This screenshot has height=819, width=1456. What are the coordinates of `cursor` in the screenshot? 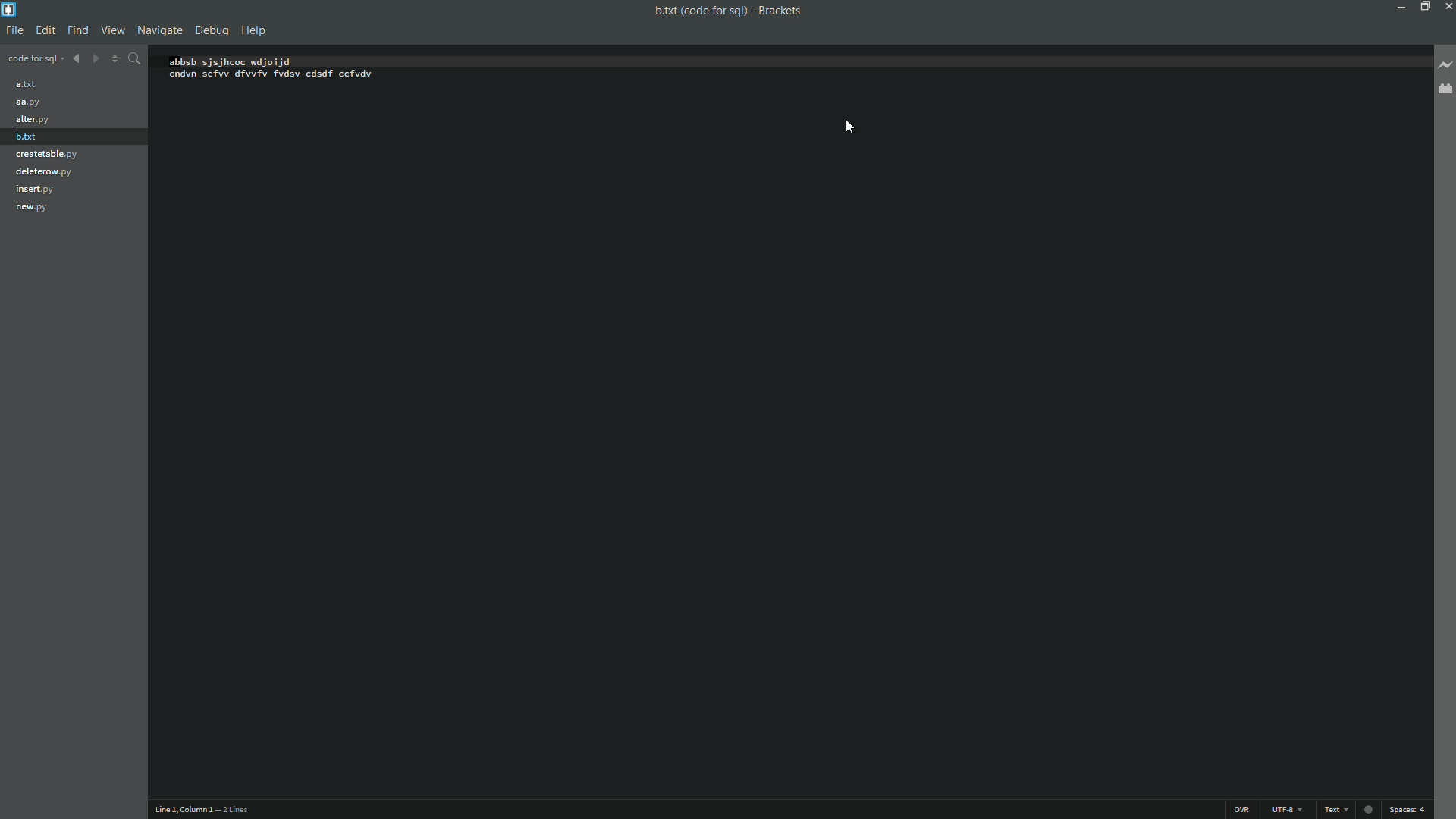 It's located at (852, 119).